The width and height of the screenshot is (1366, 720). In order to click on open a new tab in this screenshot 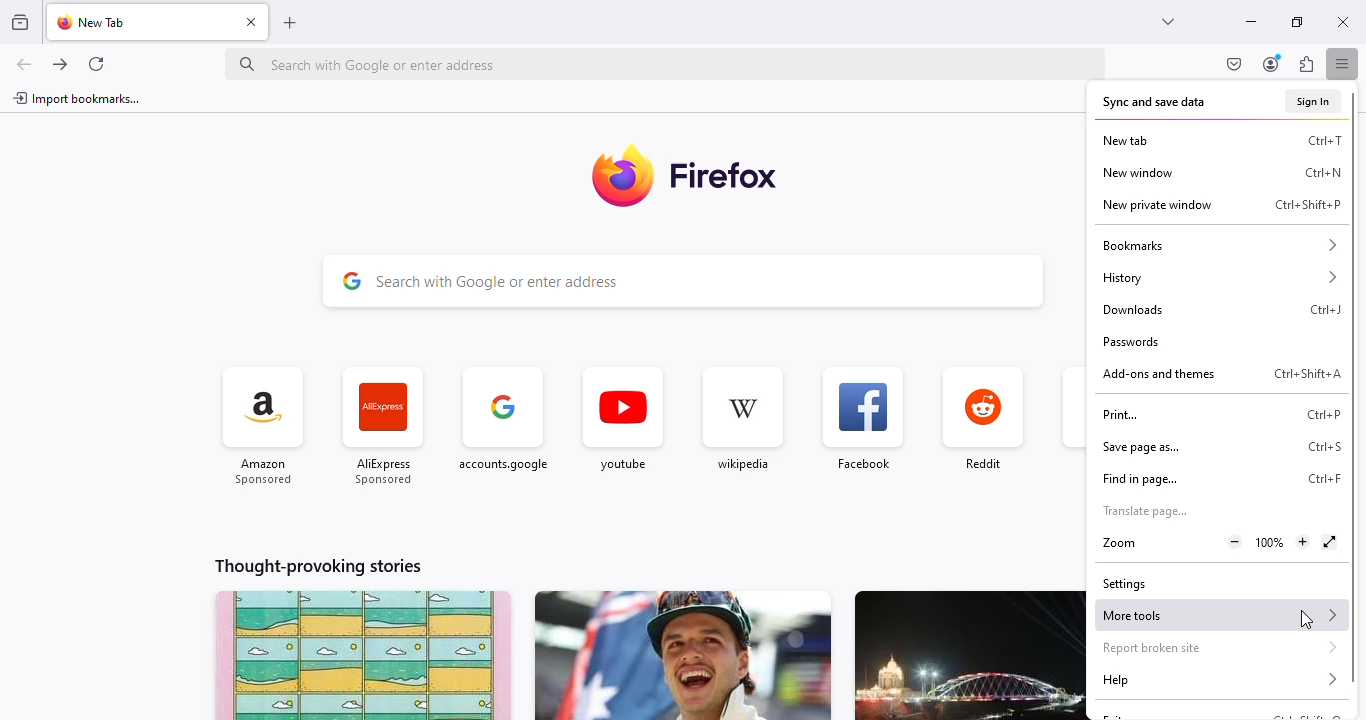, I will do `click(289, 24)`.